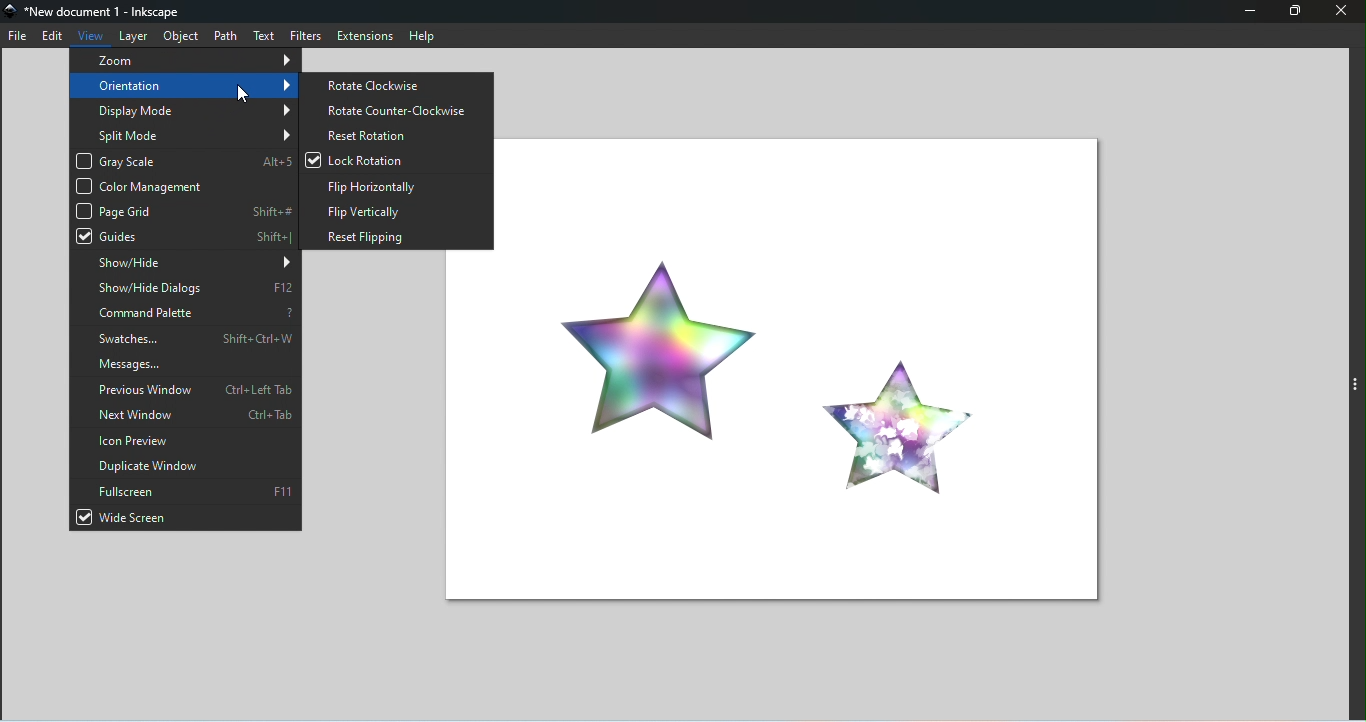 This screenshot has width=1366, height=722. What do you see at coordinates (186, 312) in the screenshot?
I see `Command palette` at bounding box center [186, 312].